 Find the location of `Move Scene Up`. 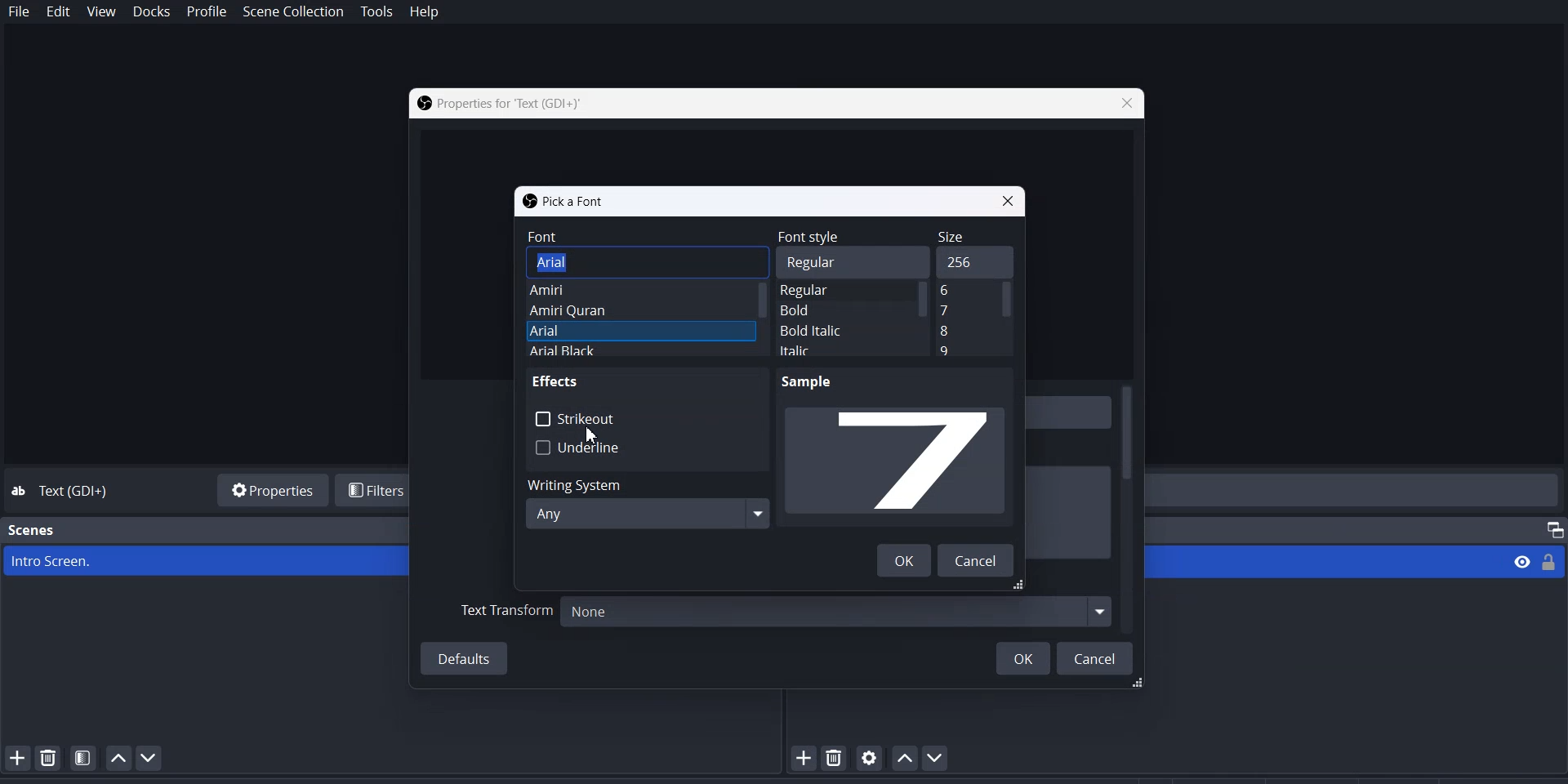

Move Scene Up is located at coordinates (118, 758).